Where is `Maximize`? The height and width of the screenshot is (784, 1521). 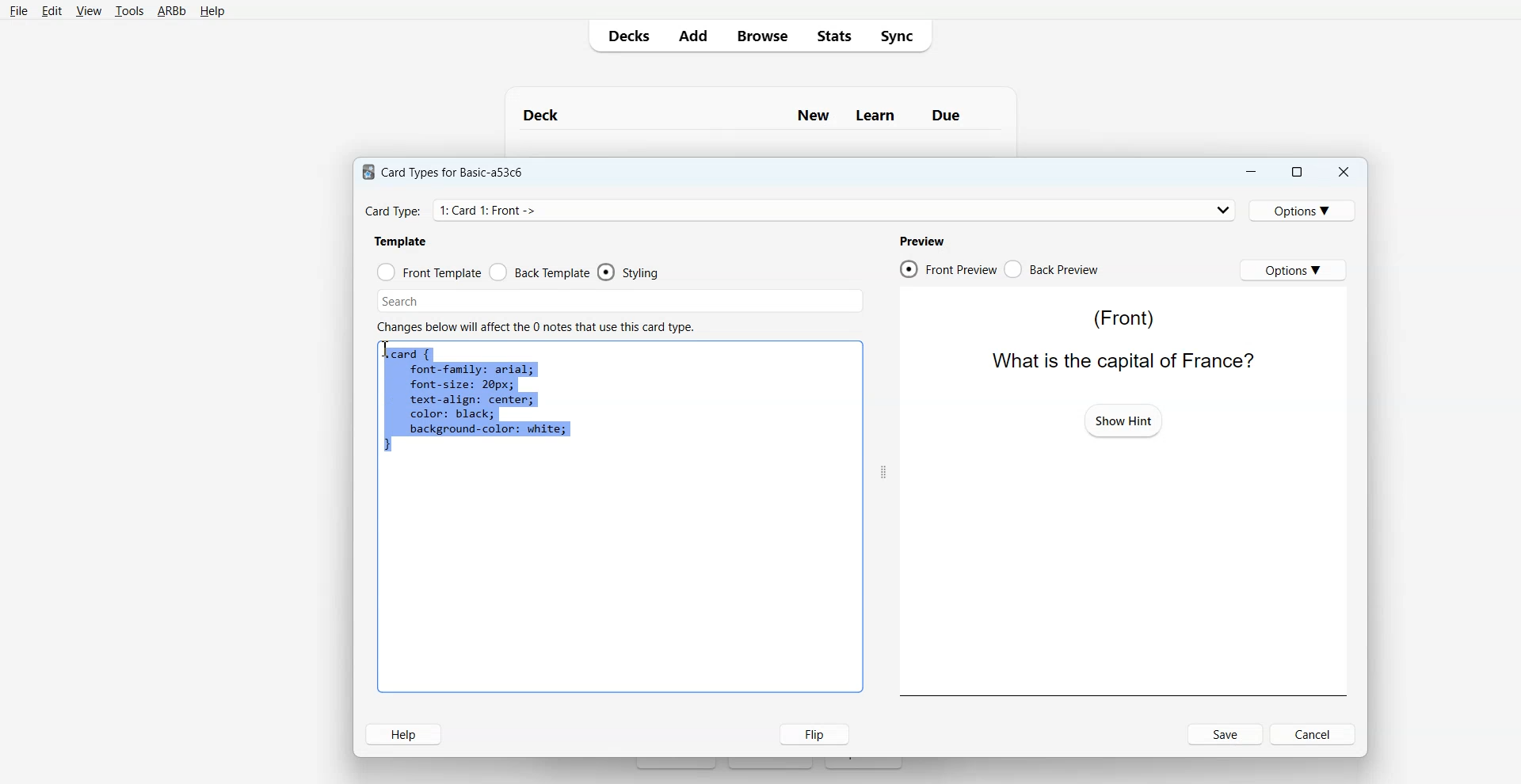 Maximize is located at coordinates (1295, 172).